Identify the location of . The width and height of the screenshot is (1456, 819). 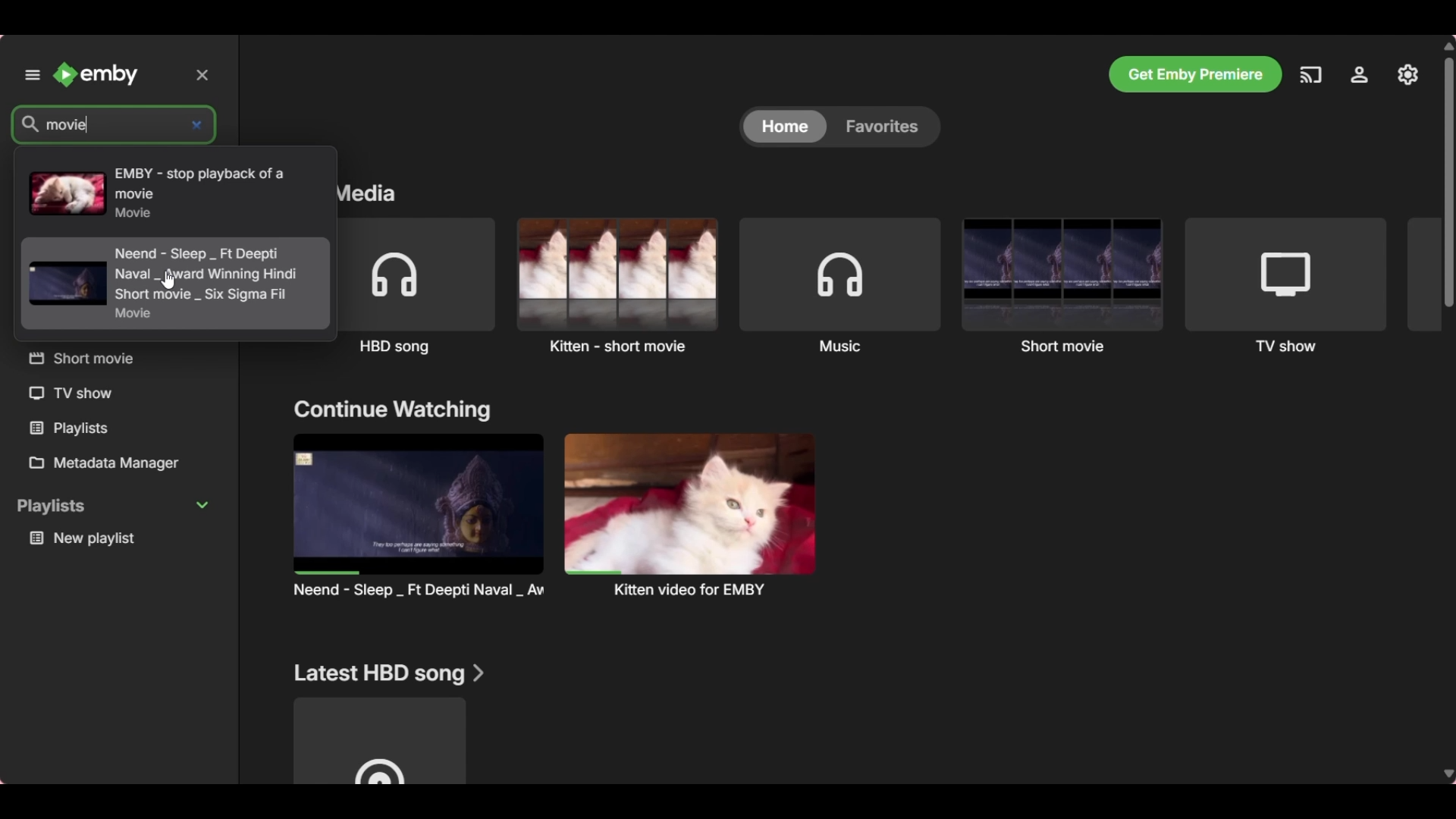
(85, 357).